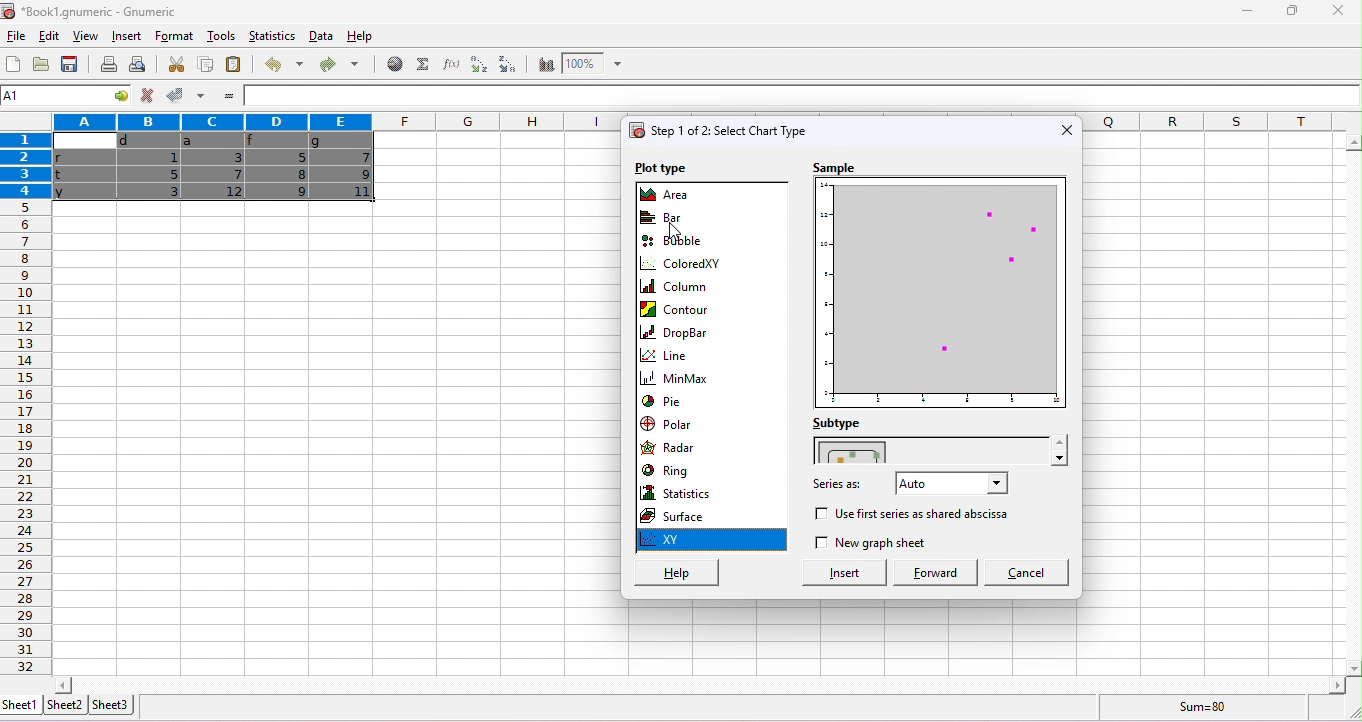  What do you see at coordinates (679, 240) in the screenshot?
I see `bubble` at bounding box center [679, 240].